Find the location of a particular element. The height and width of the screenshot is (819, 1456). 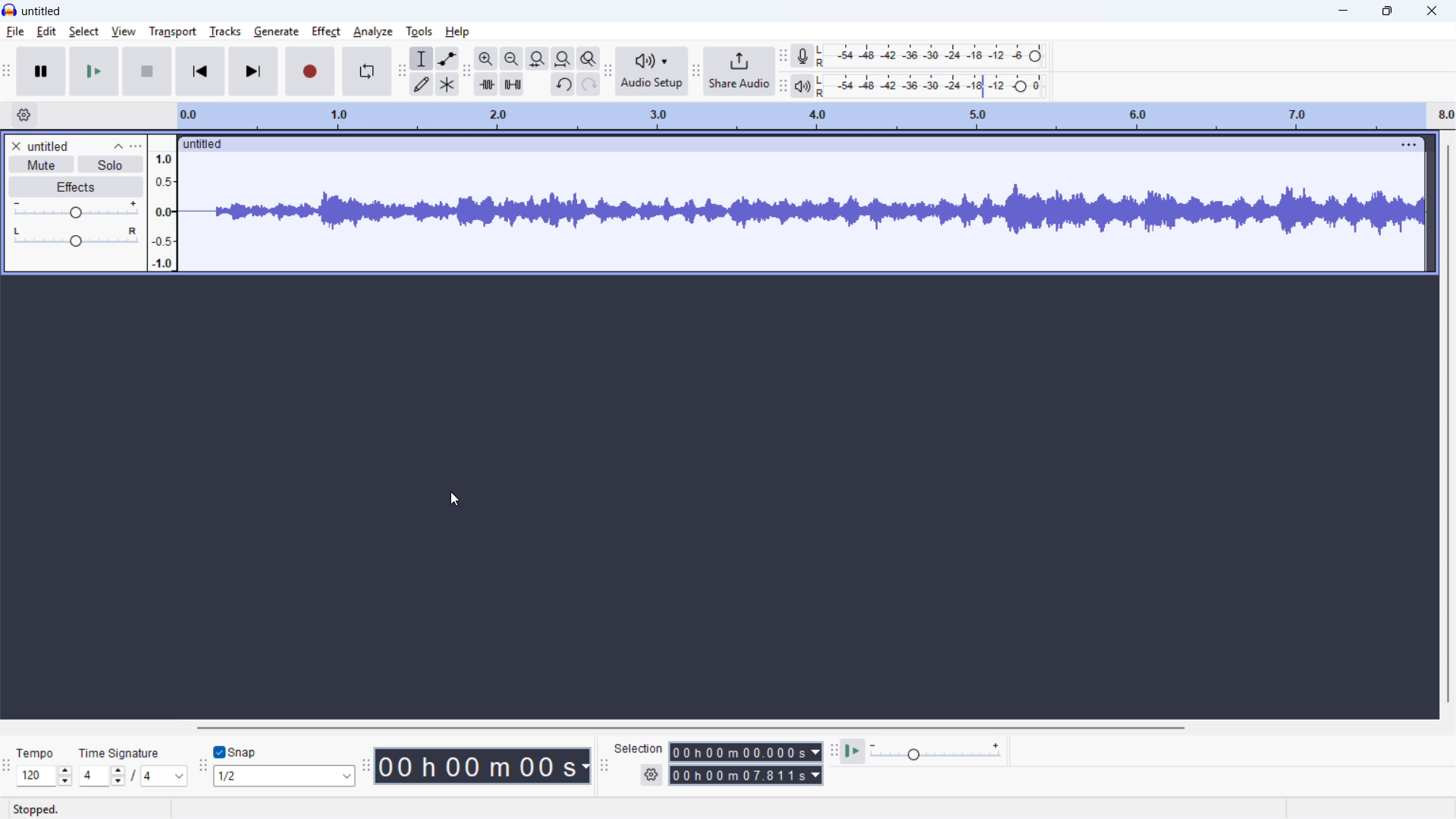

stop is located at coordinates (149, 71).